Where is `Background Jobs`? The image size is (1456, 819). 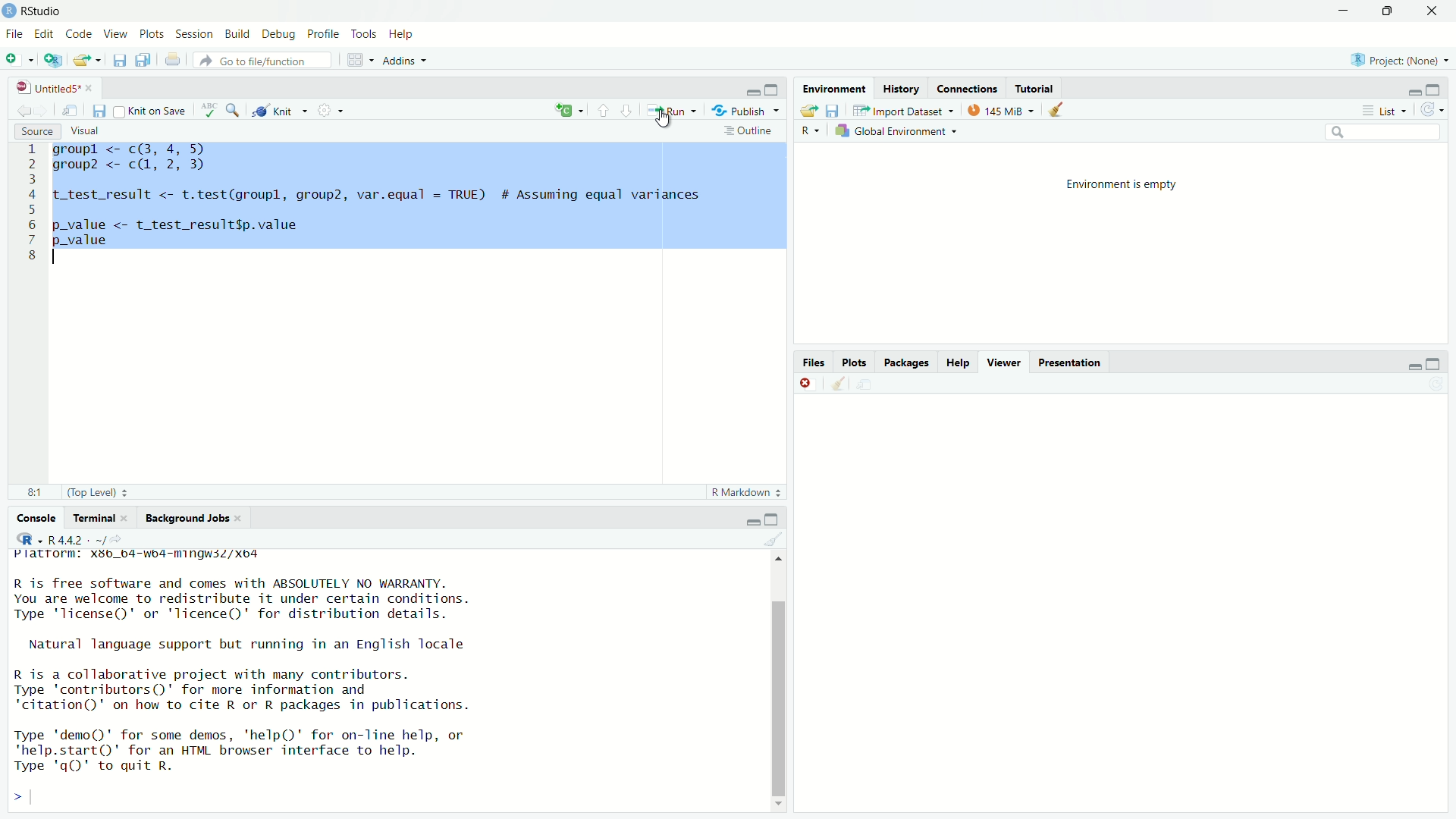 Background Jobs is located at coordinates (193, 519).